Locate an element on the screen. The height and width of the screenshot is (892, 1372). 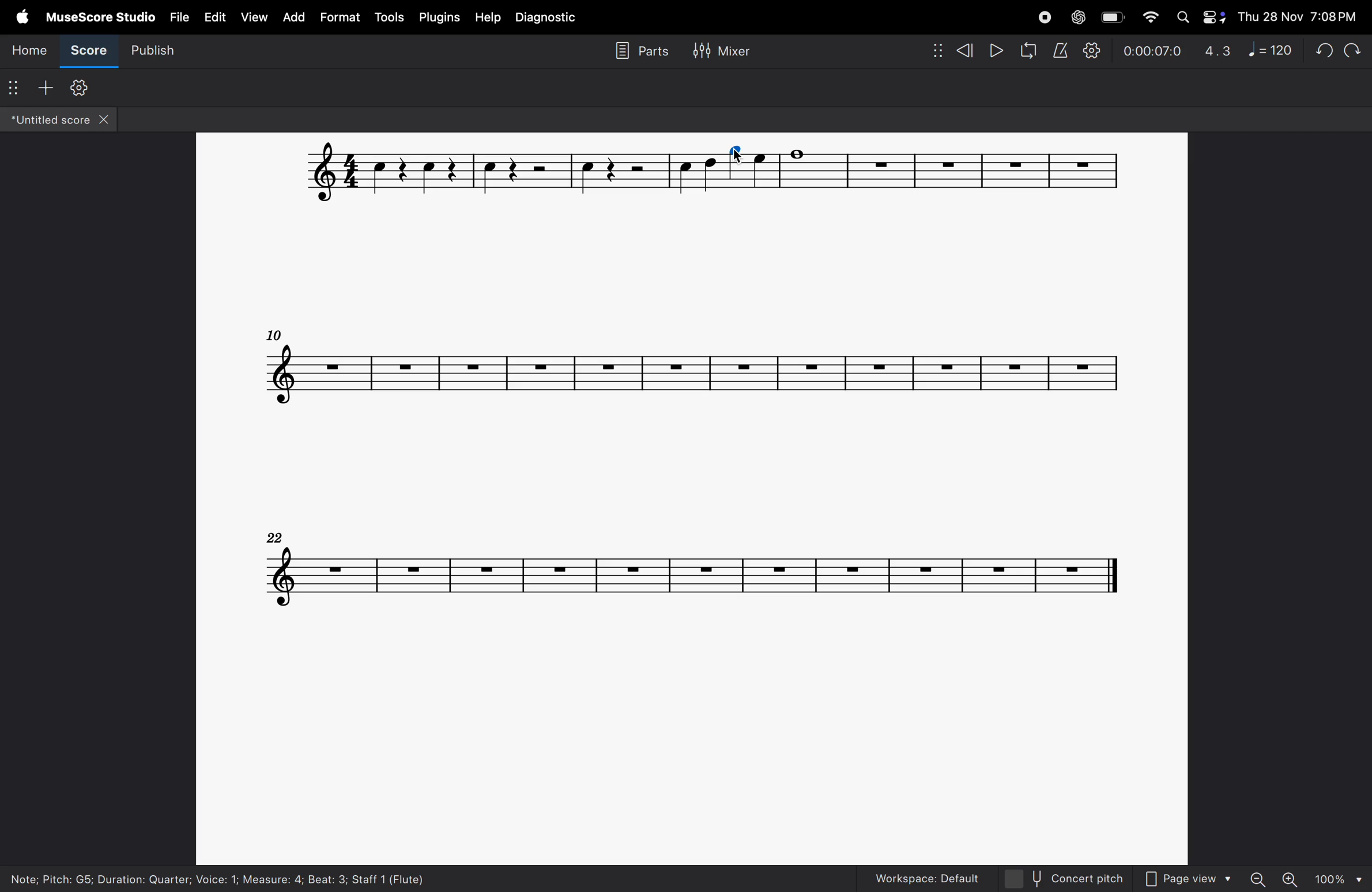
format is located at coordinates (338, 16).